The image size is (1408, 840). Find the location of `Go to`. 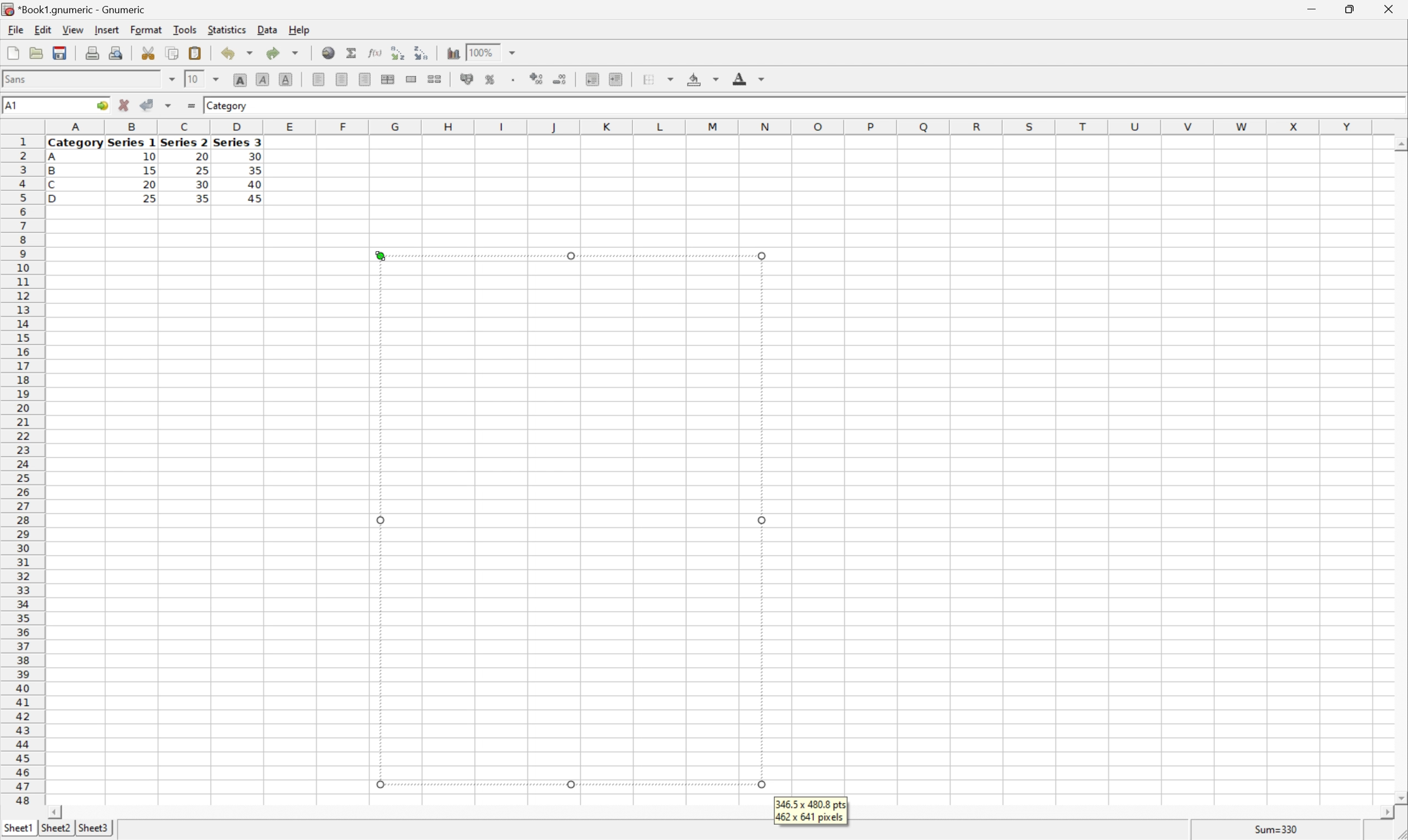

Go to is located at coordinates (100, 105).